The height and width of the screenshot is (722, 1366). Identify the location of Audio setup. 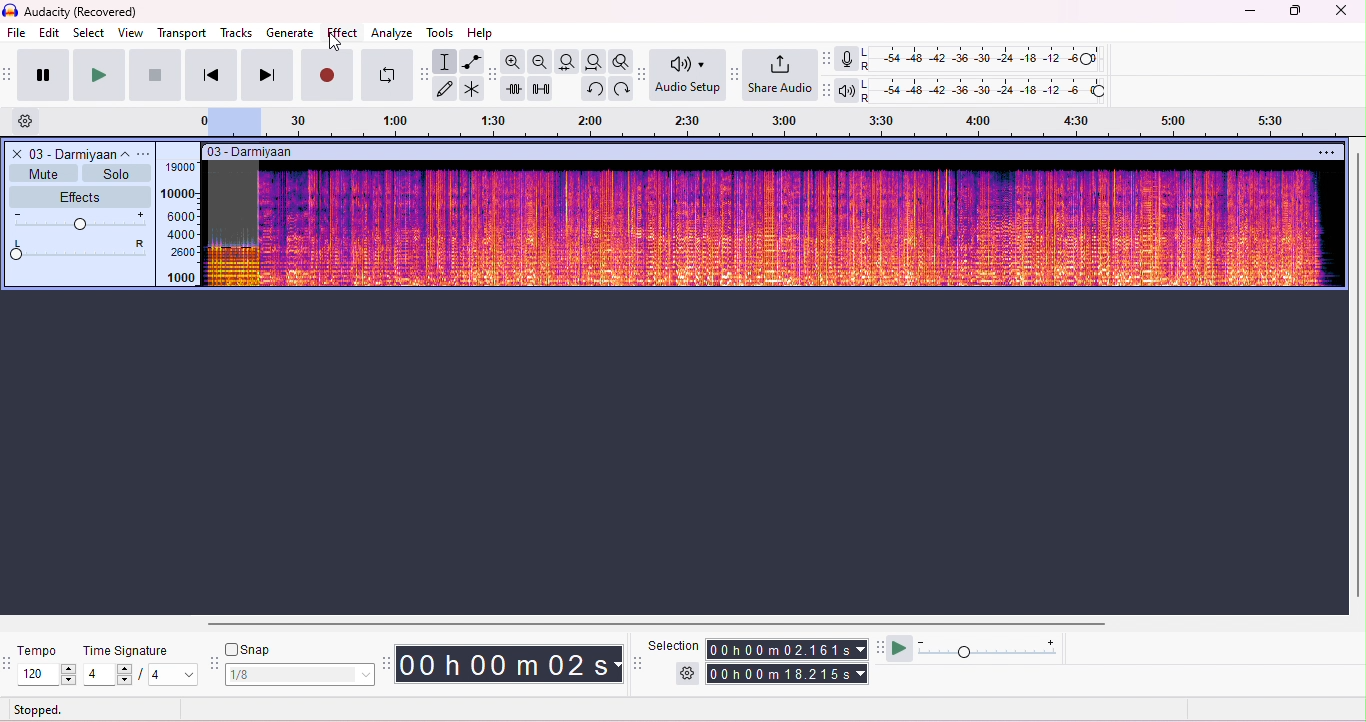
(687, 75).